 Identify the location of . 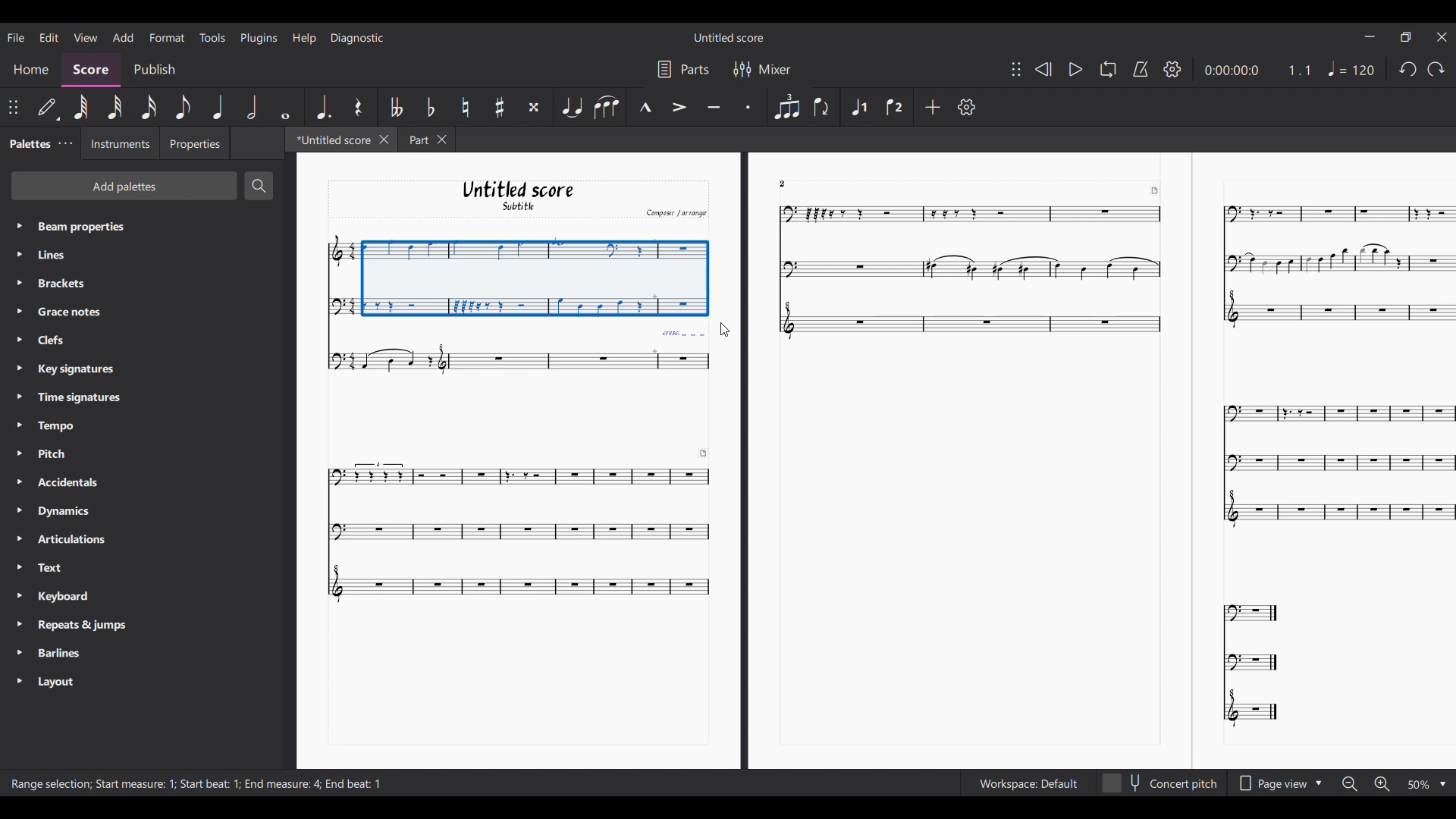
(21, 628).